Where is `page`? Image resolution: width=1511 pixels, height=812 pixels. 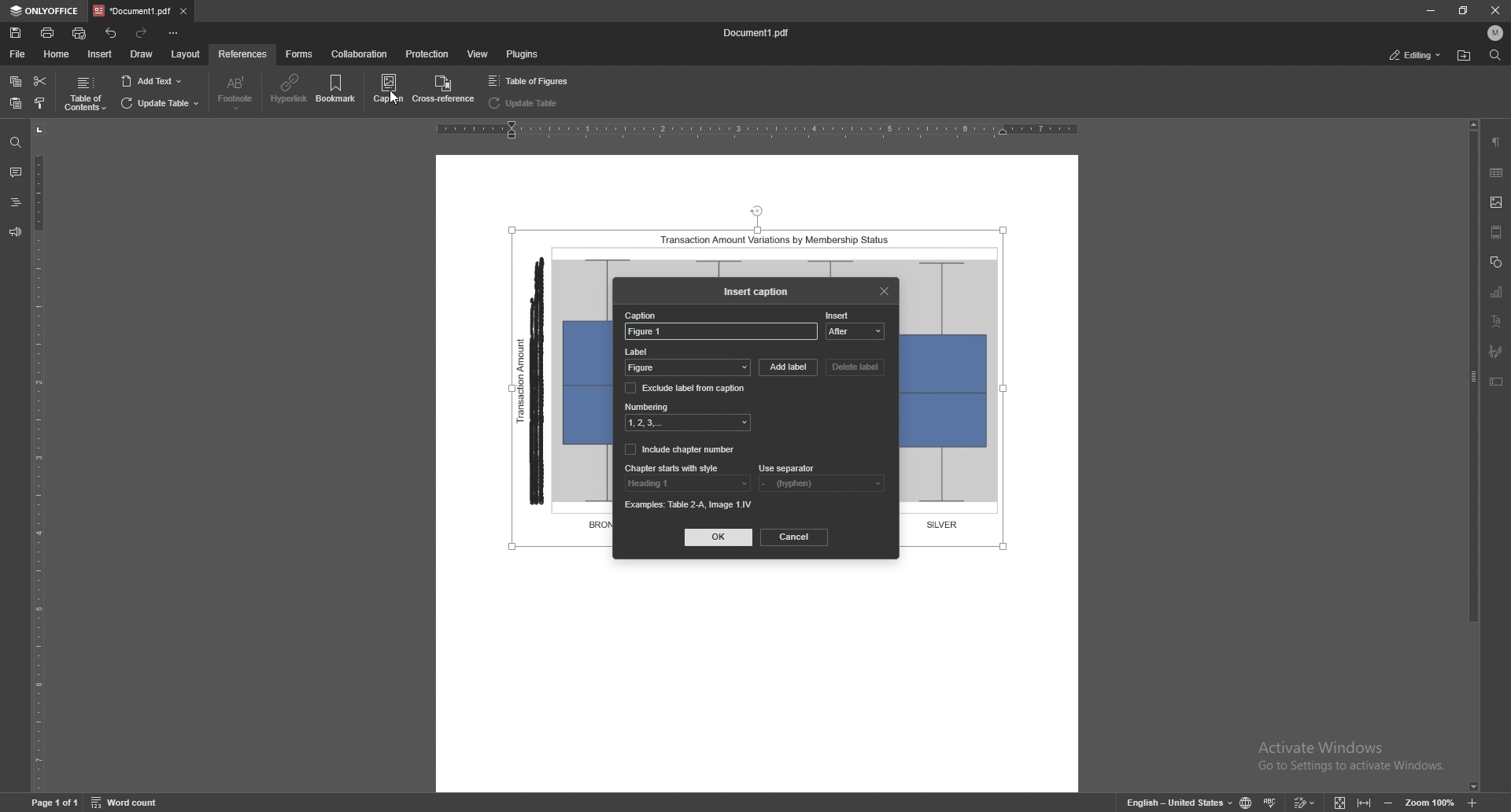 page is located at coordinates (54, 801).